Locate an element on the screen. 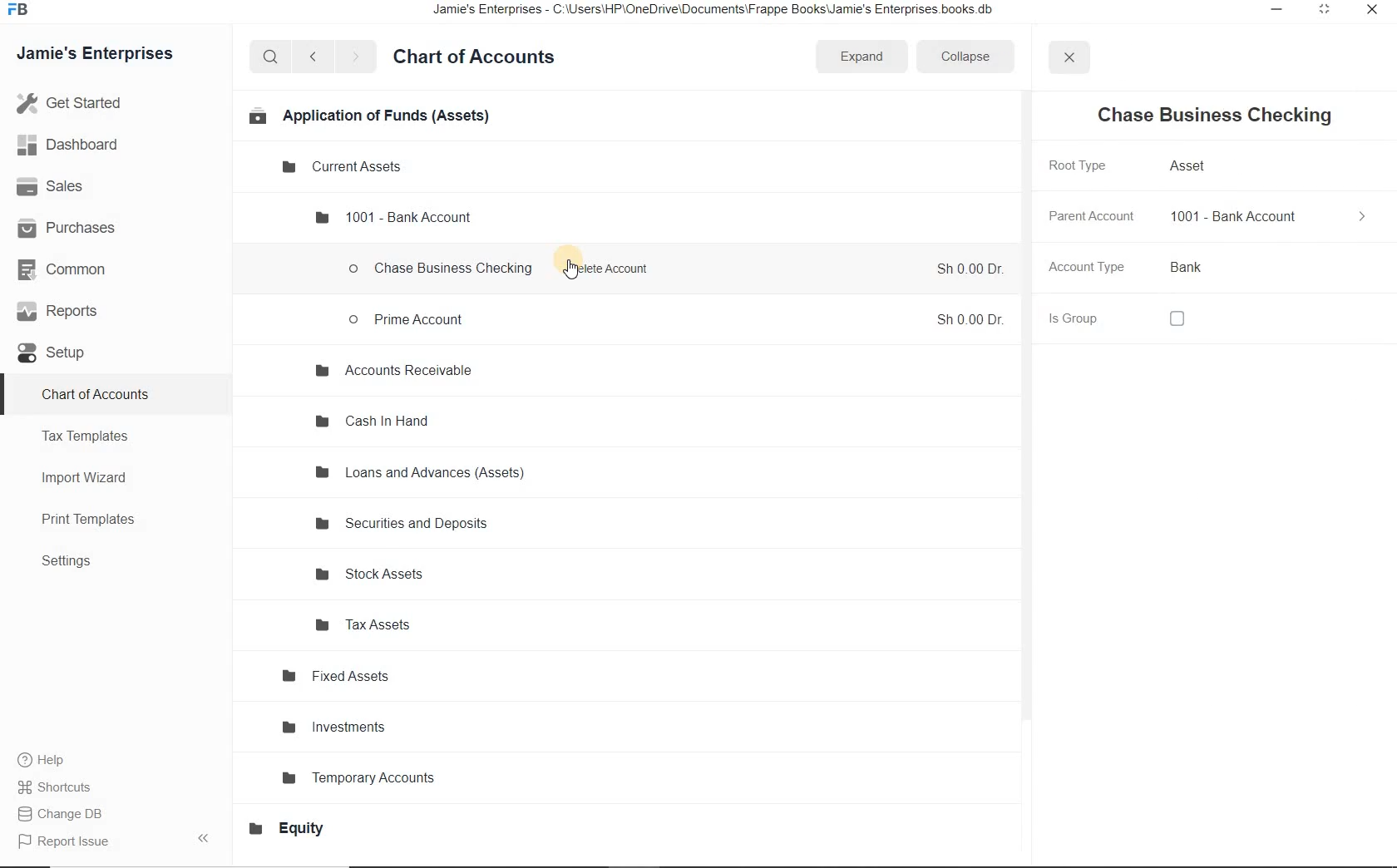 Image resolution: width=1397 pixels, height=868 pixels. Parent Account is located at coordinates (1090, 216).